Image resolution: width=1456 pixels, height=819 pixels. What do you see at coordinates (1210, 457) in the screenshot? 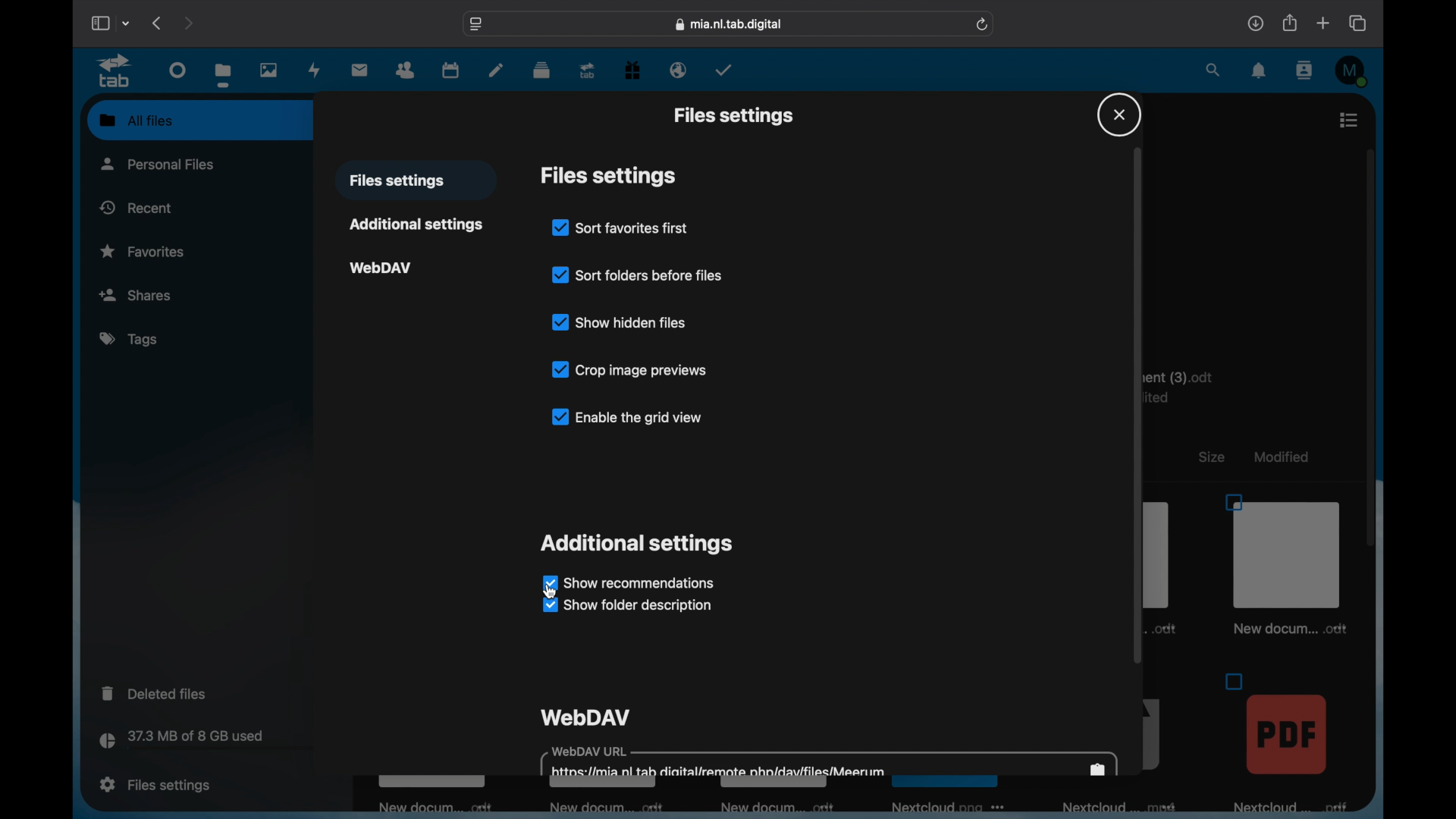
I see `size` at bounding box center [1210, 457].